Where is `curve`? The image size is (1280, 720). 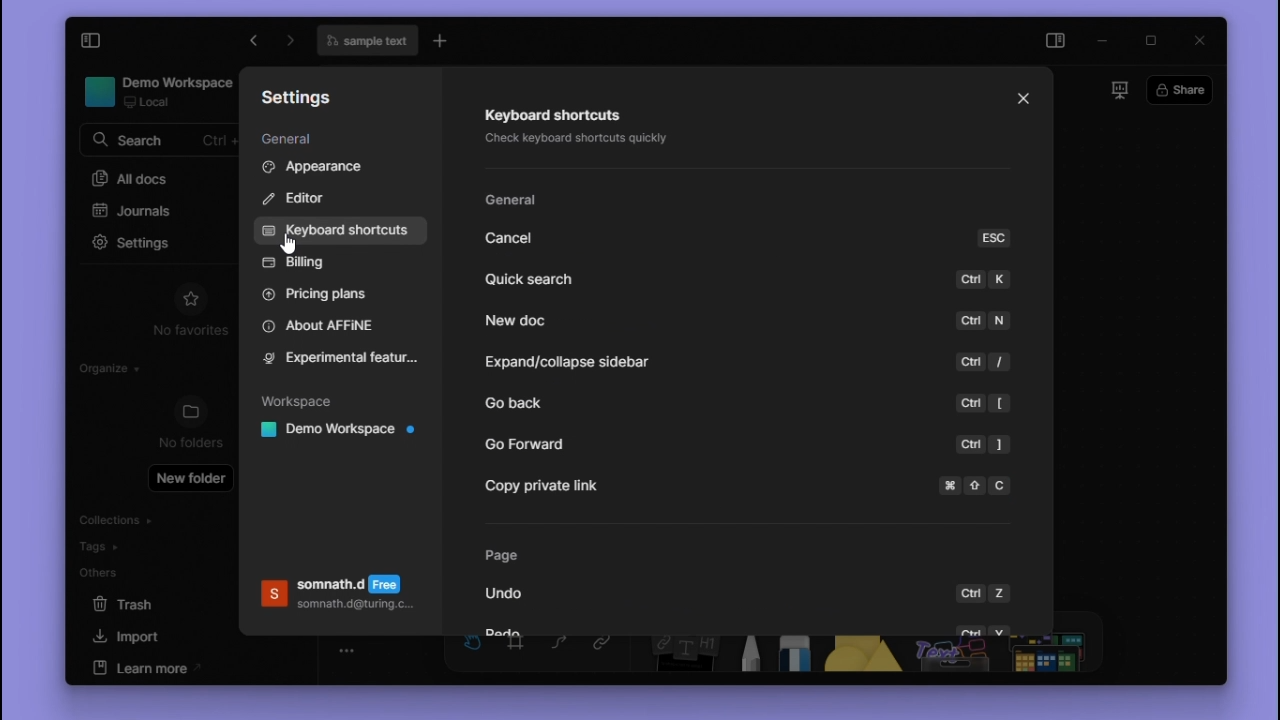 curve is located at coordinates (563, 653).